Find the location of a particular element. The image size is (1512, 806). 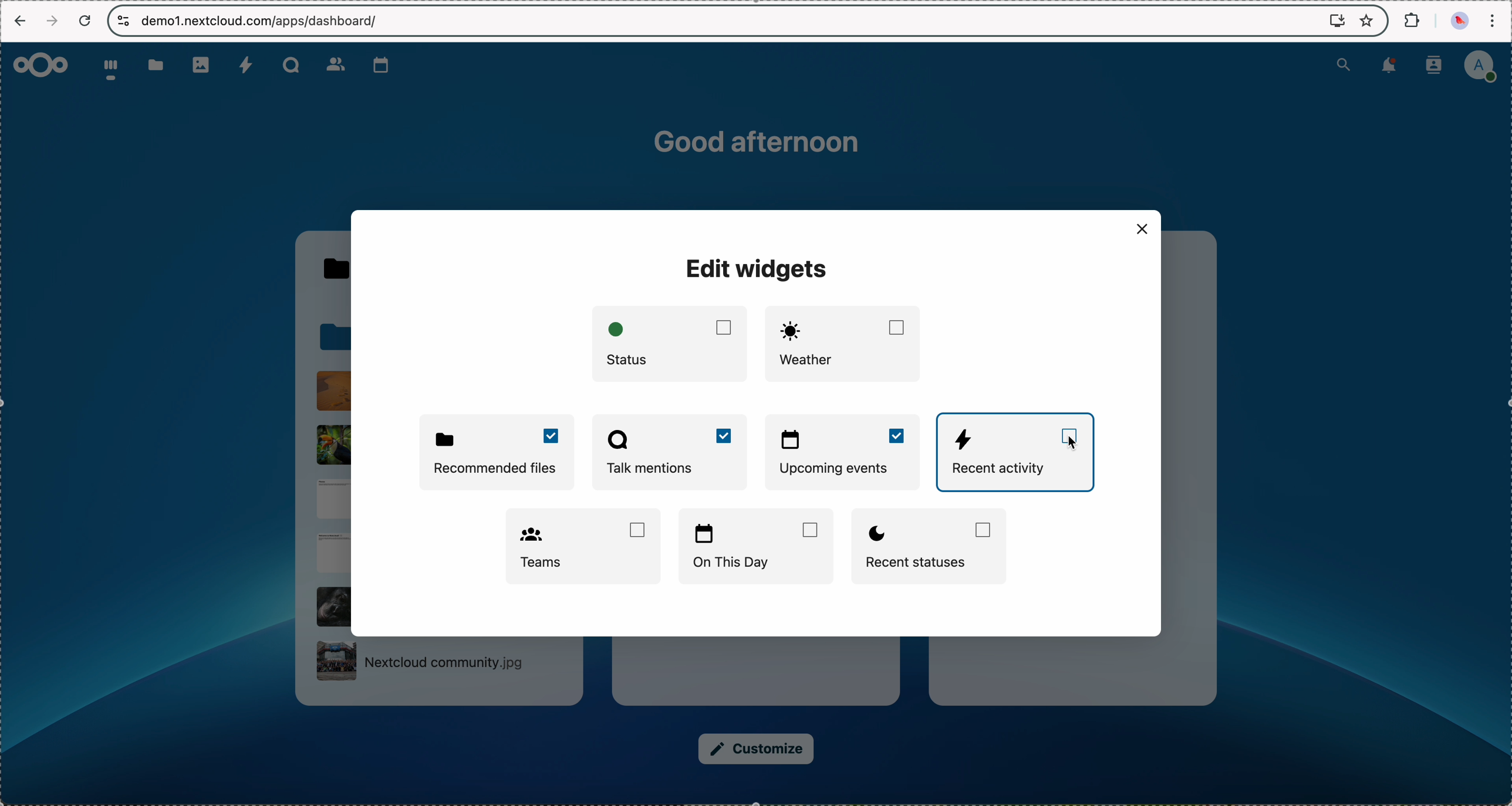

weather is located at coordinates (845, 344).